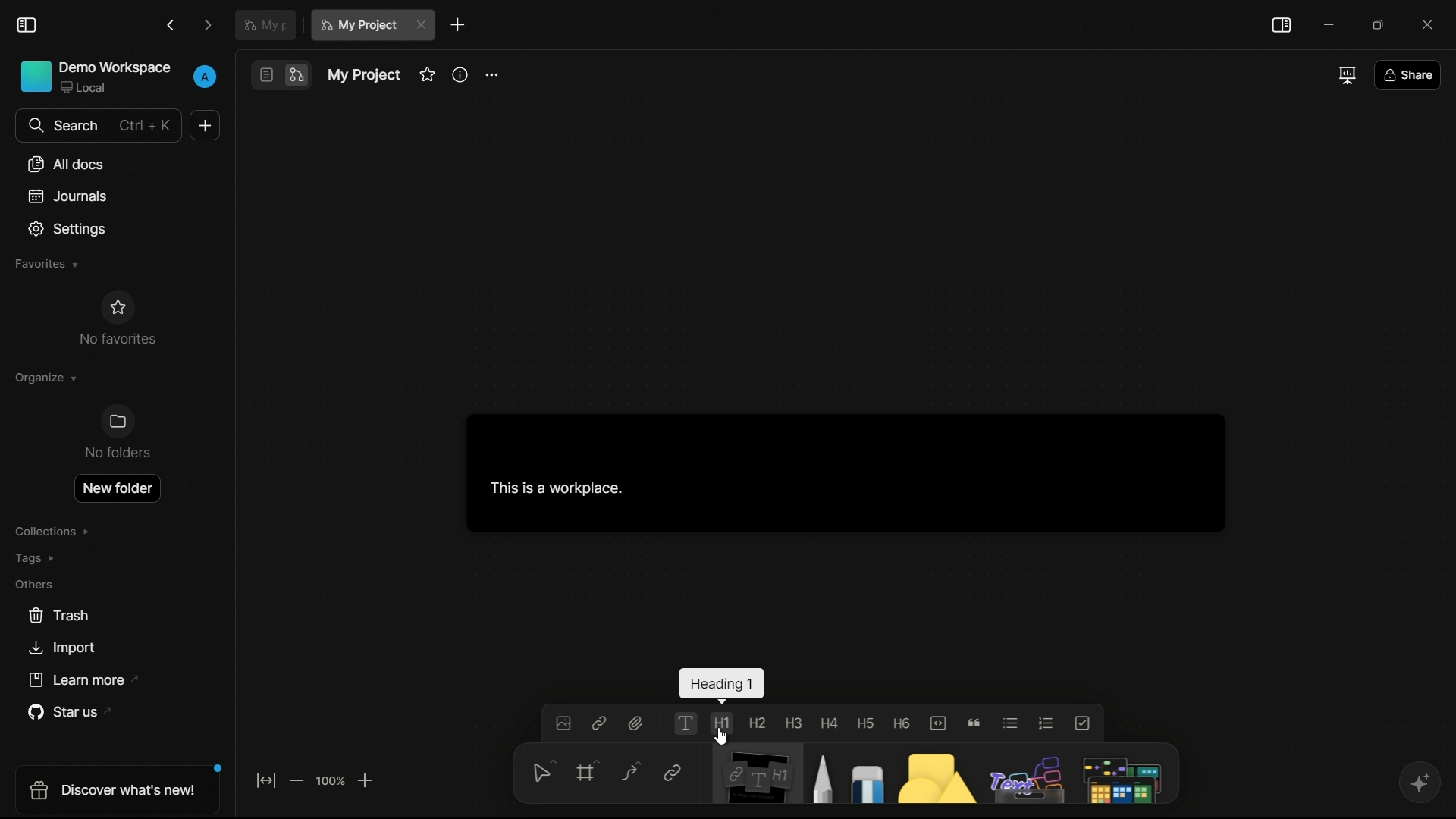 The image size is (1456, 819). What do you see at coordinates (723, 738) in the screenshot?
I see `Cursor` at bounding box center [723, 738].